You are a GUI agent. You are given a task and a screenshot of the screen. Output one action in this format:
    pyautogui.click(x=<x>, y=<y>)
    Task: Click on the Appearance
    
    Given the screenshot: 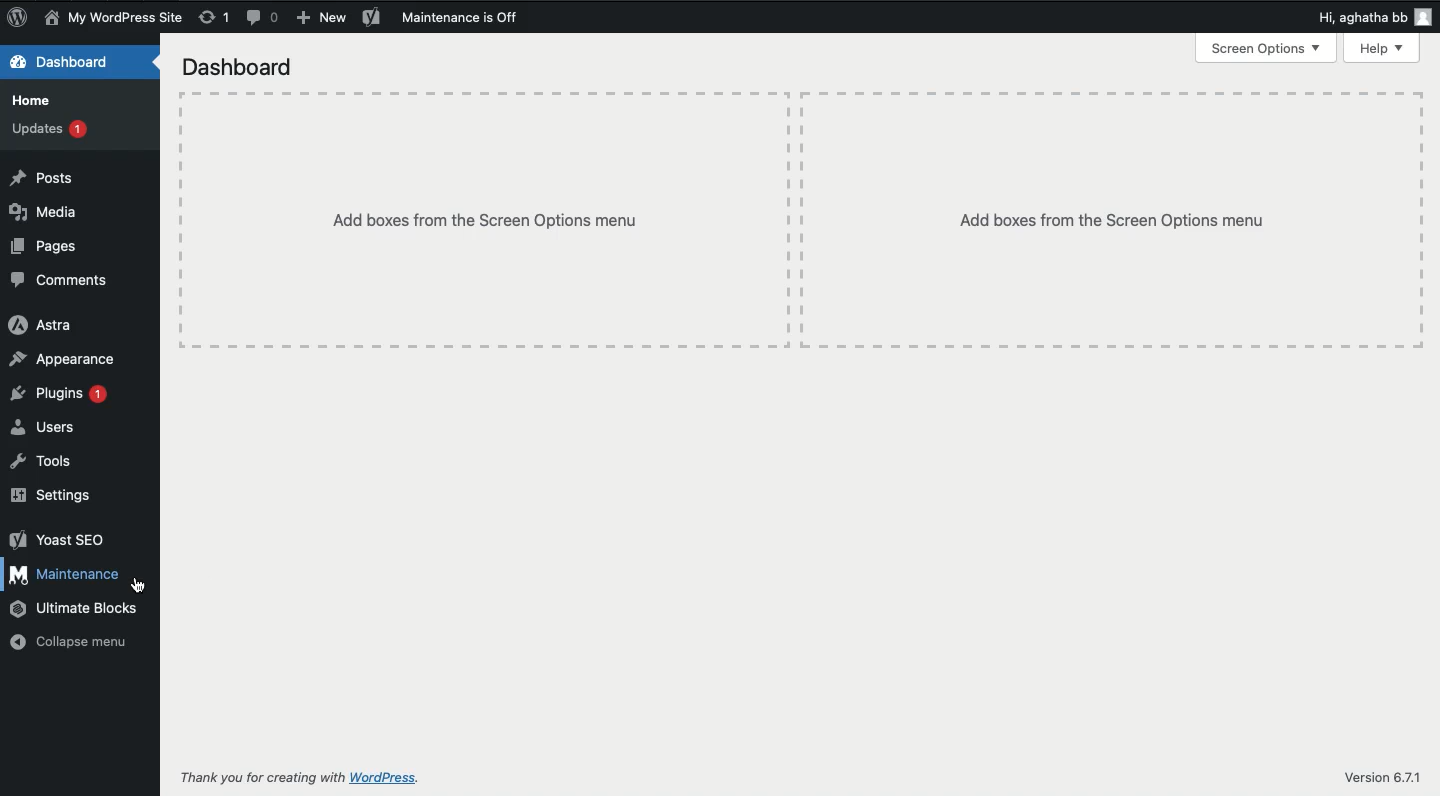 What is the action you would take?
    pyautogui.click(x=67, y=359)
    